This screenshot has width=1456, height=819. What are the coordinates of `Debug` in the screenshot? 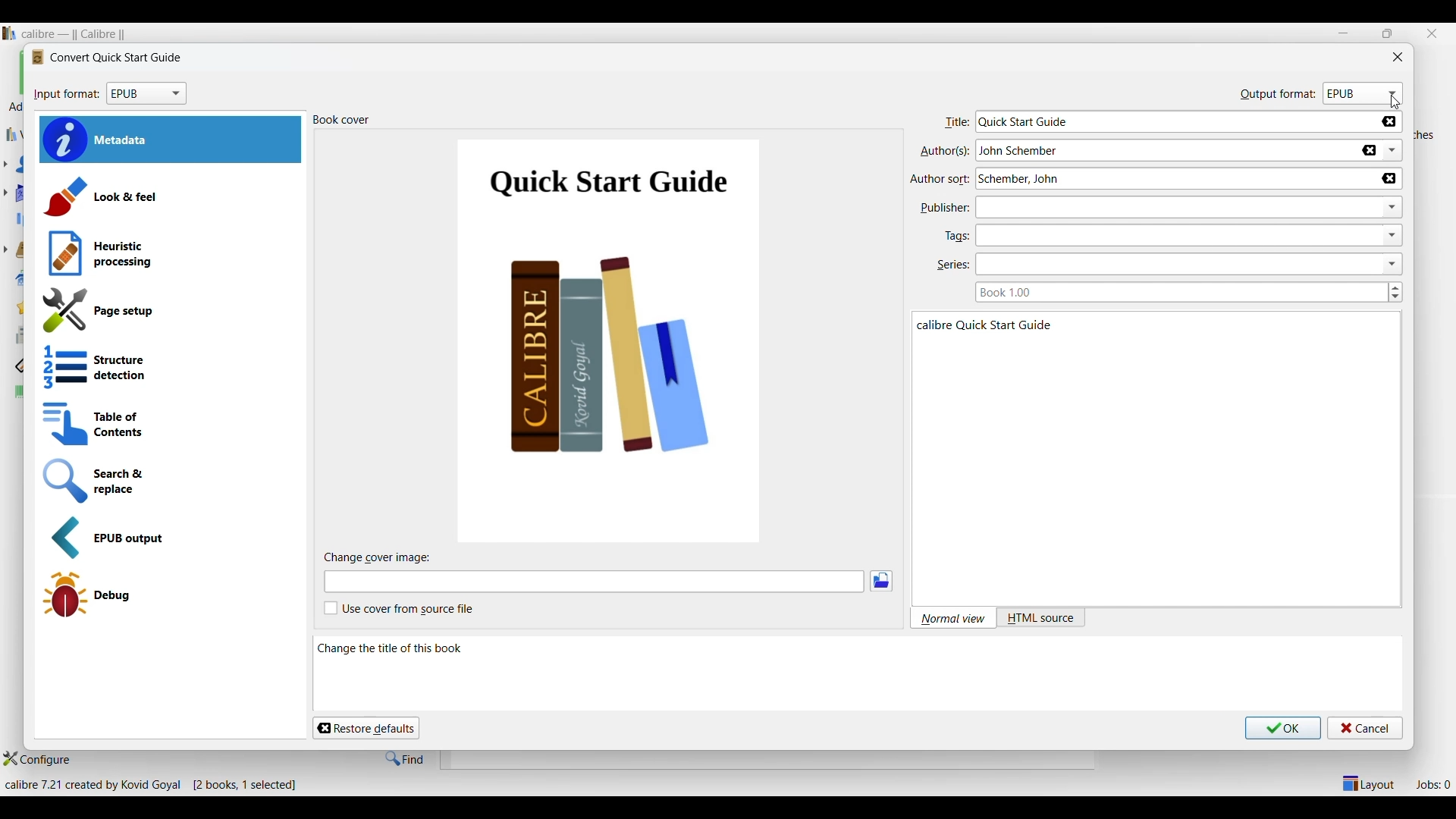 It's located at (167, 595).